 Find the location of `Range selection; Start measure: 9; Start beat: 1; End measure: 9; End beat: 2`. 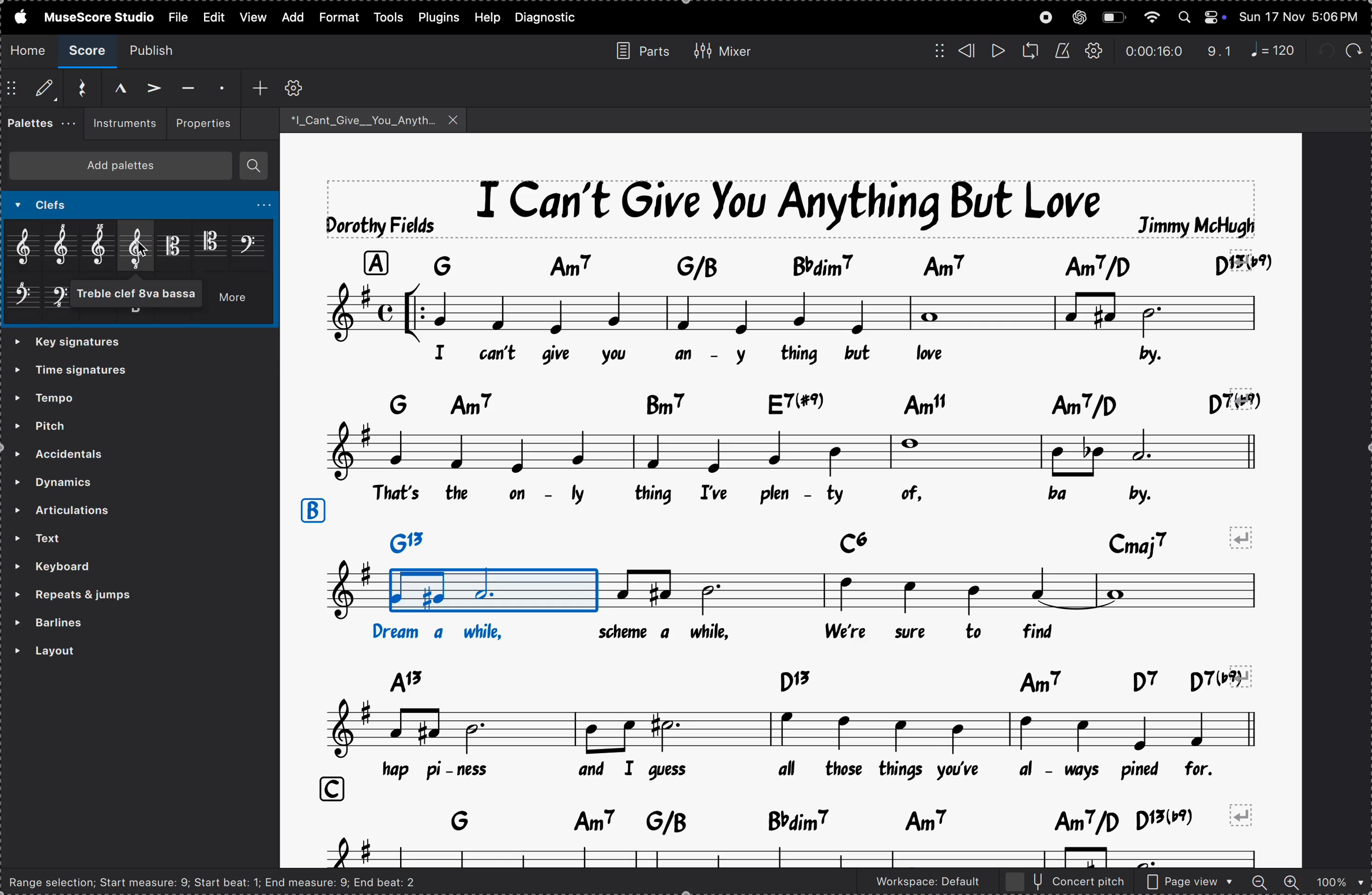

Range selection; Start measure: 9; Start beat: 1; End measure: 9; End beat: 2 is located at coordinates (223, 881).